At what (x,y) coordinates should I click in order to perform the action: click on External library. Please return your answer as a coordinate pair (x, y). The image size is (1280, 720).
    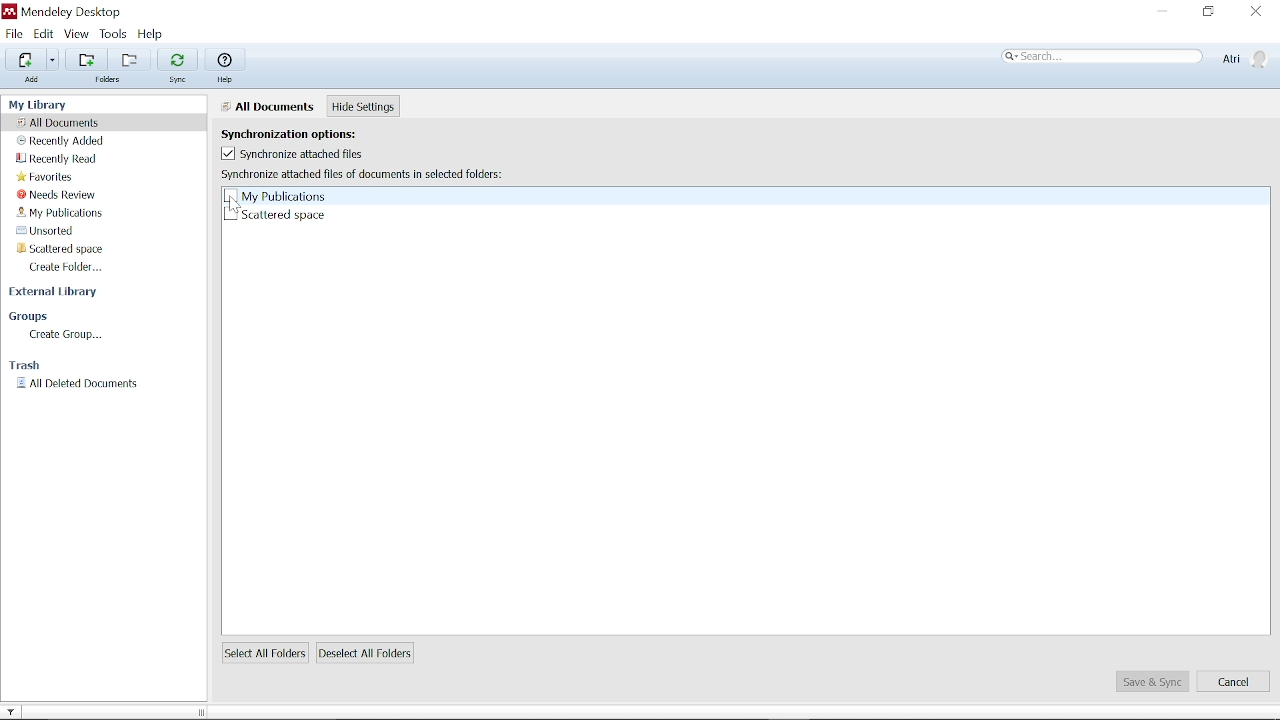
    Looking at the image, I should click on (56, 295).